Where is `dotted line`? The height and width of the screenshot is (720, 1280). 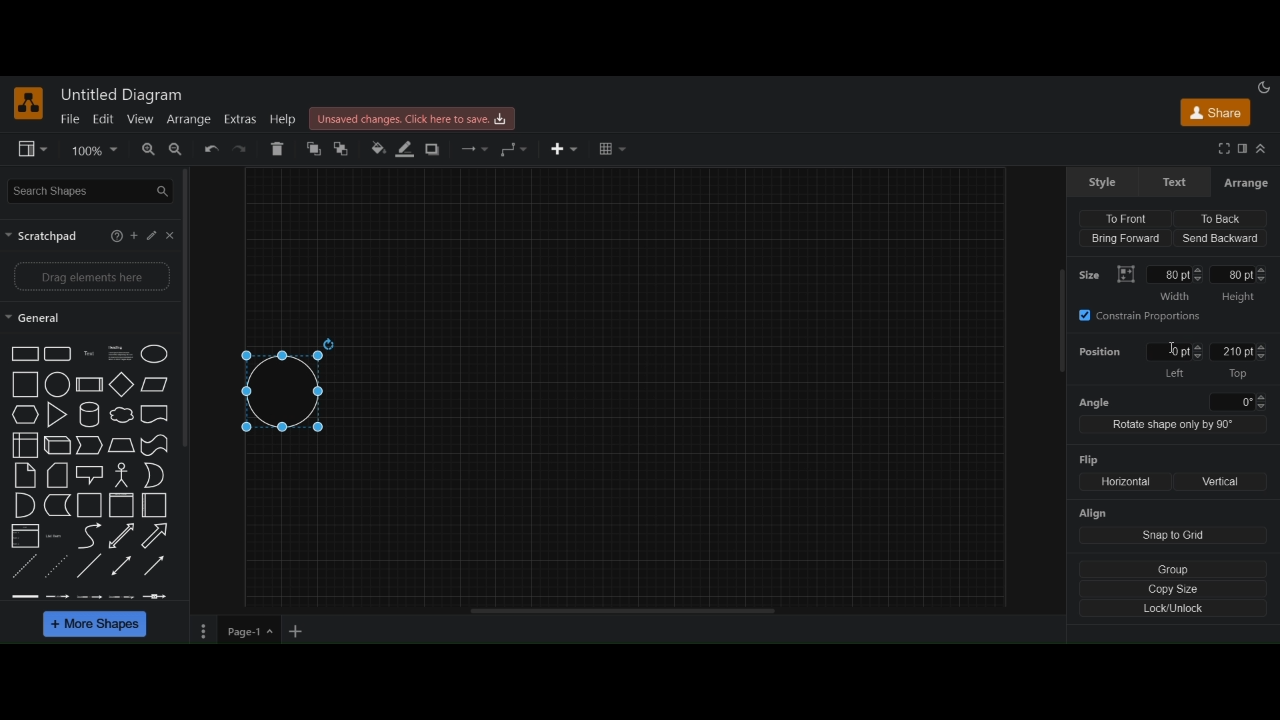 dotted line is located at coordinates (25, 568).